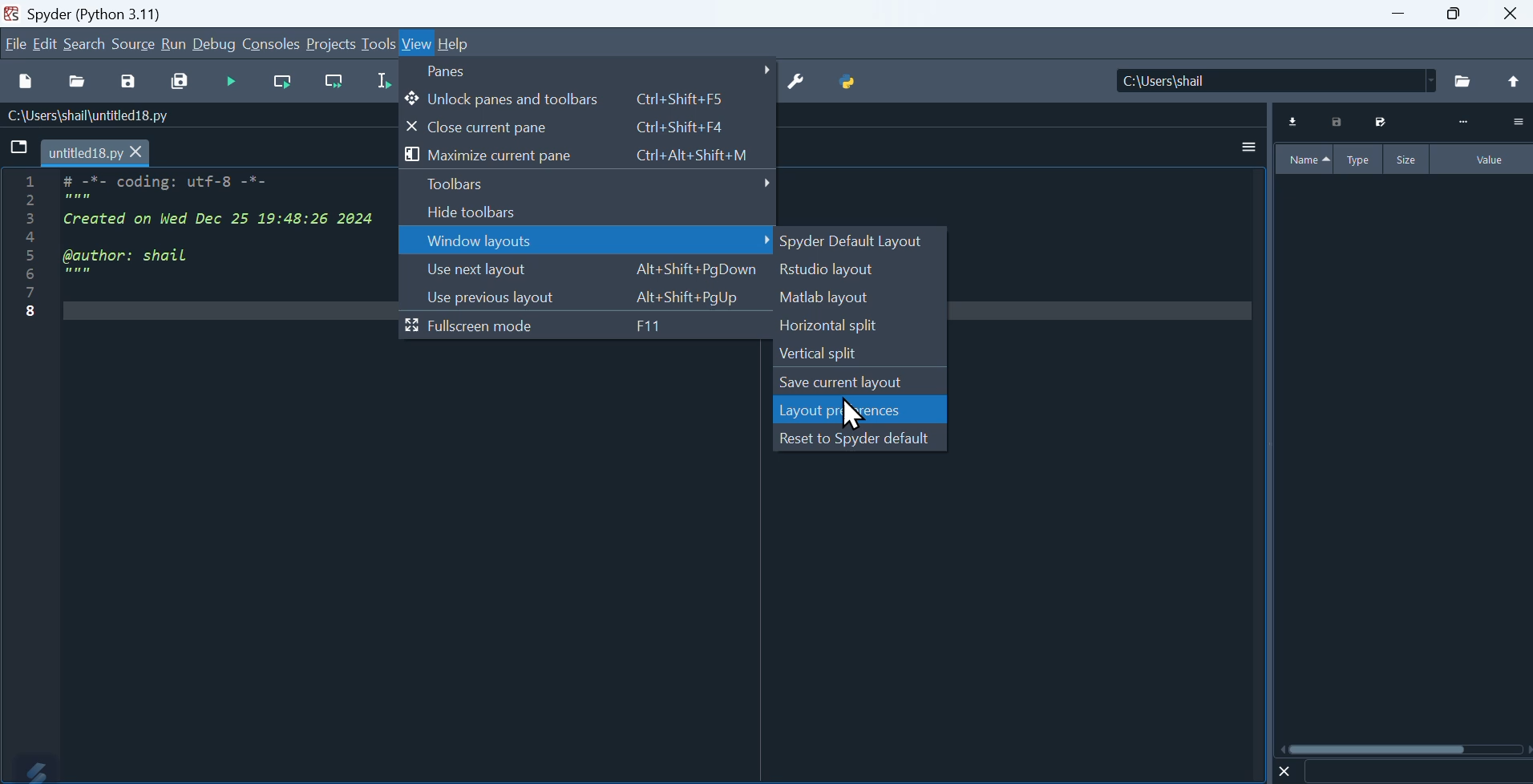  Describe the element at coordinates (586, 156) in the screenshot. I see `Maximise current pane` at that location.